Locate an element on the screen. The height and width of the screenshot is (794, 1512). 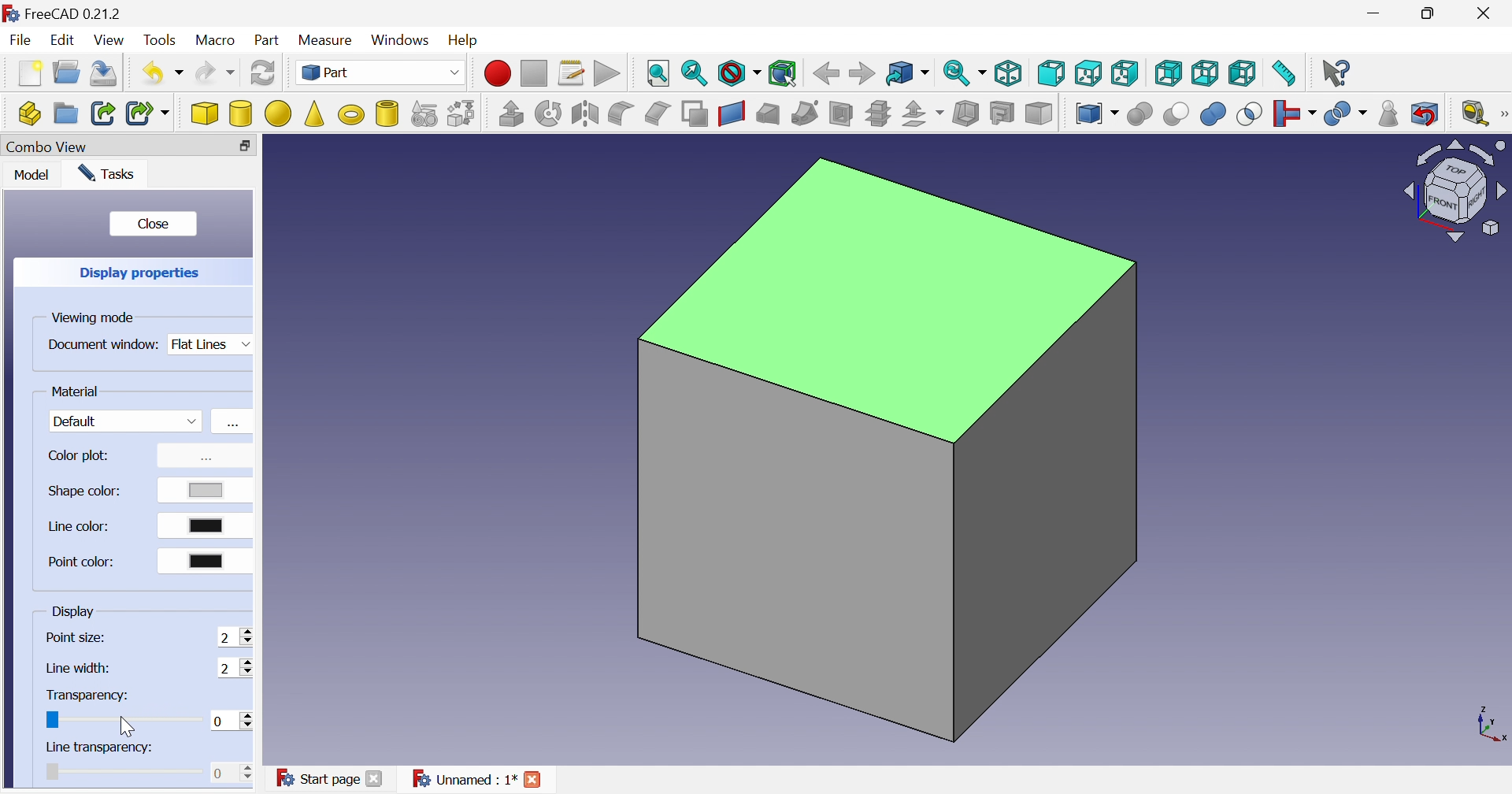
Measure liner is located at coordinates (1475, 114).